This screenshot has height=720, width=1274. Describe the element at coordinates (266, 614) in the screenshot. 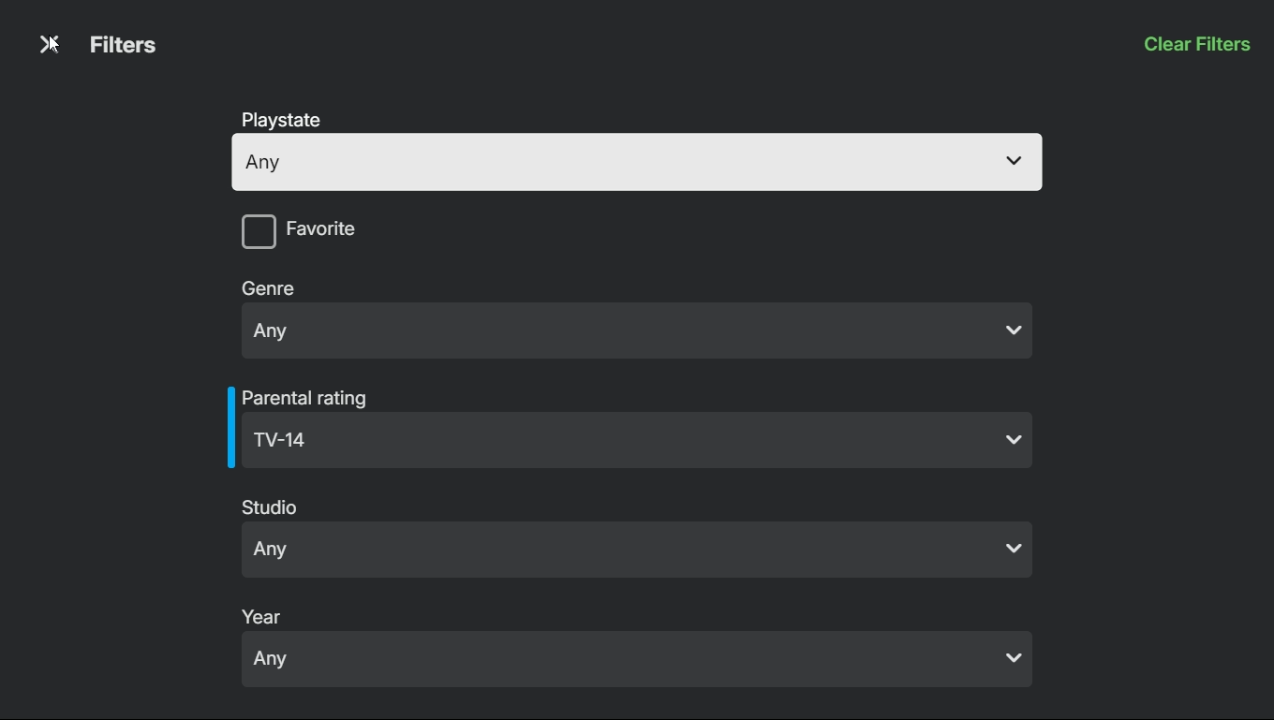

I see `year` at that location.